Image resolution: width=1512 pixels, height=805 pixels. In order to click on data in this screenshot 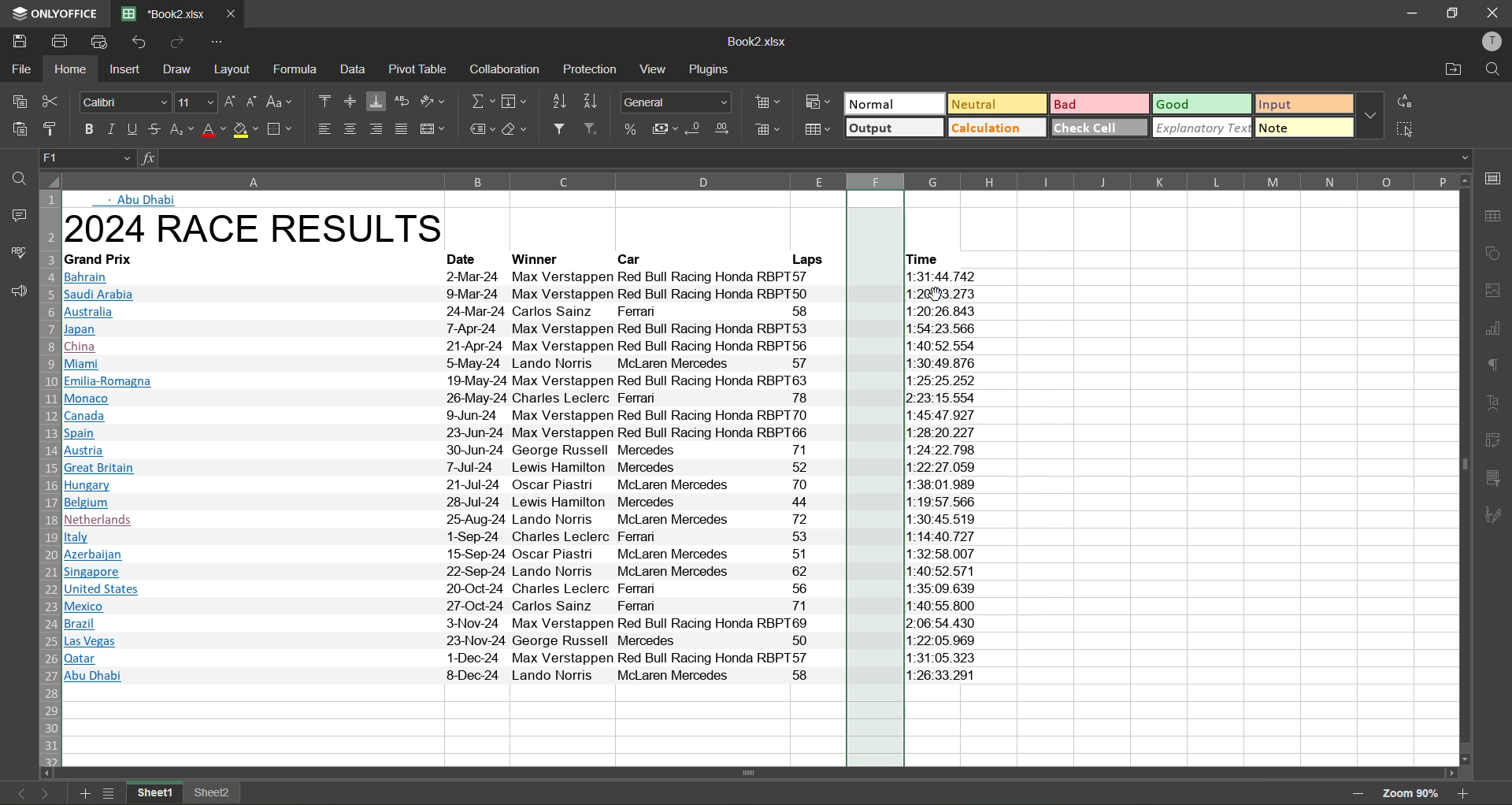, I will do `click(351, 69)`.